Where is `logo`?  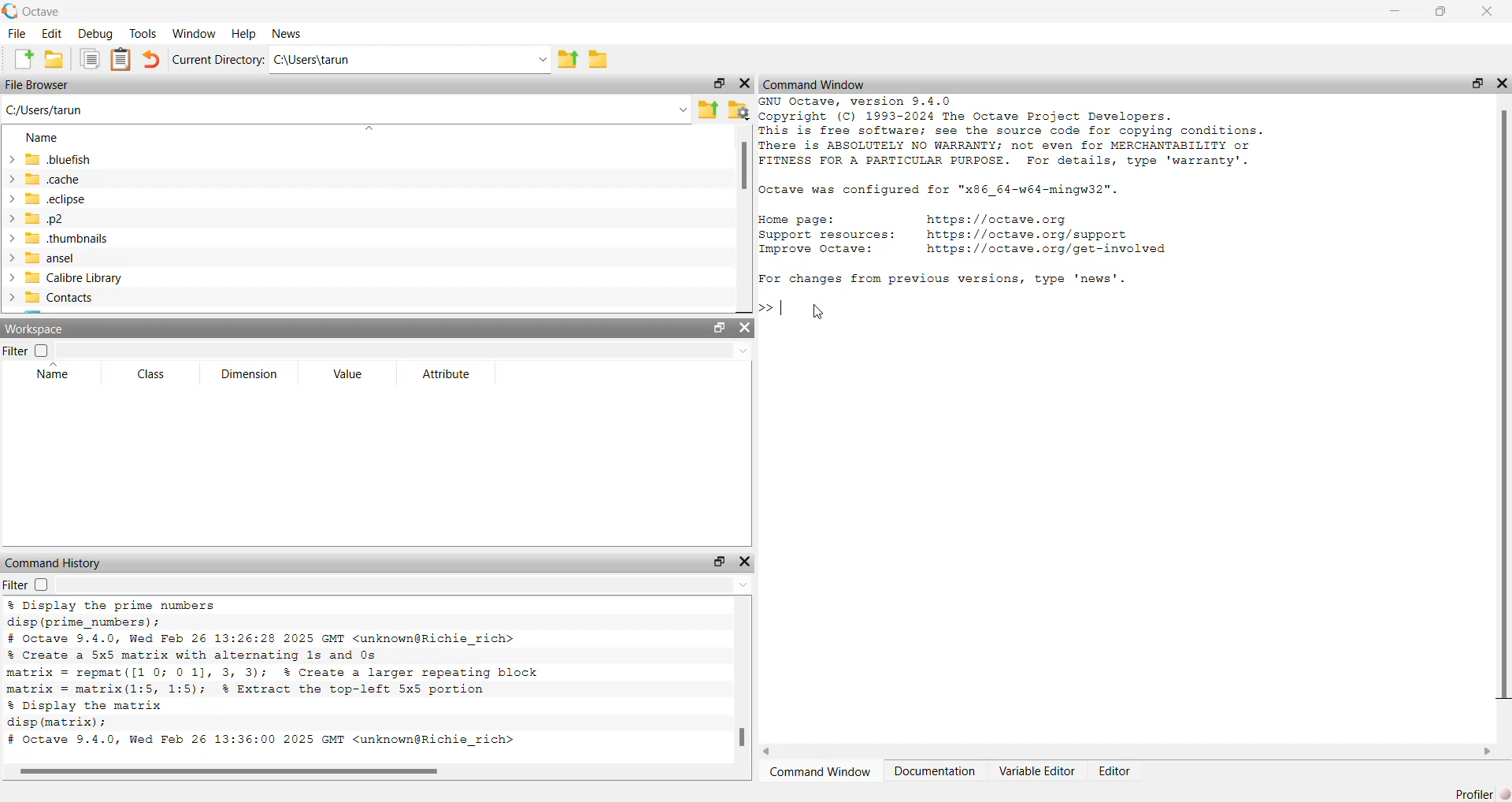
logo is located at coordinates (9, 10).